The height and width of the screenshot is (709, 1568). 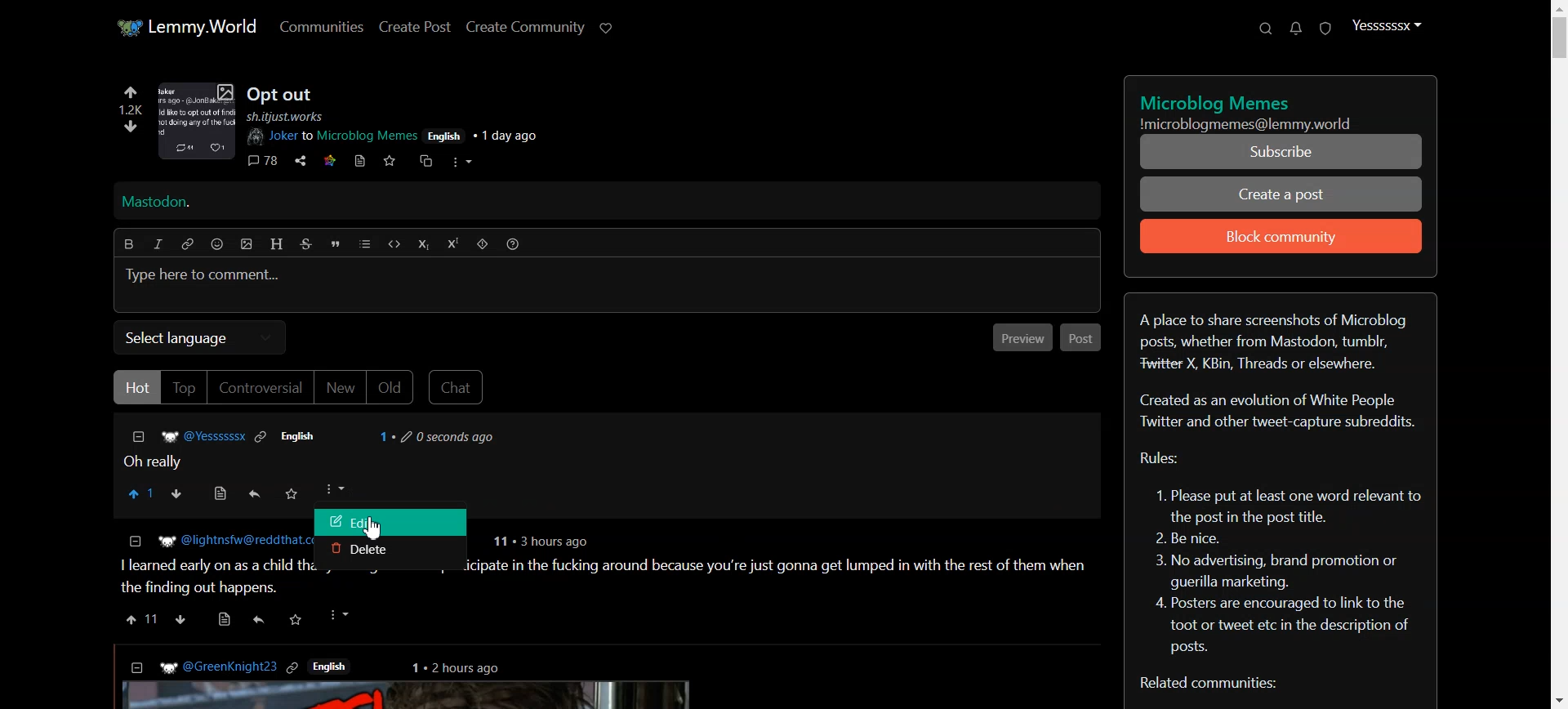 I want to click on Bold , so click(x=130, y=243).